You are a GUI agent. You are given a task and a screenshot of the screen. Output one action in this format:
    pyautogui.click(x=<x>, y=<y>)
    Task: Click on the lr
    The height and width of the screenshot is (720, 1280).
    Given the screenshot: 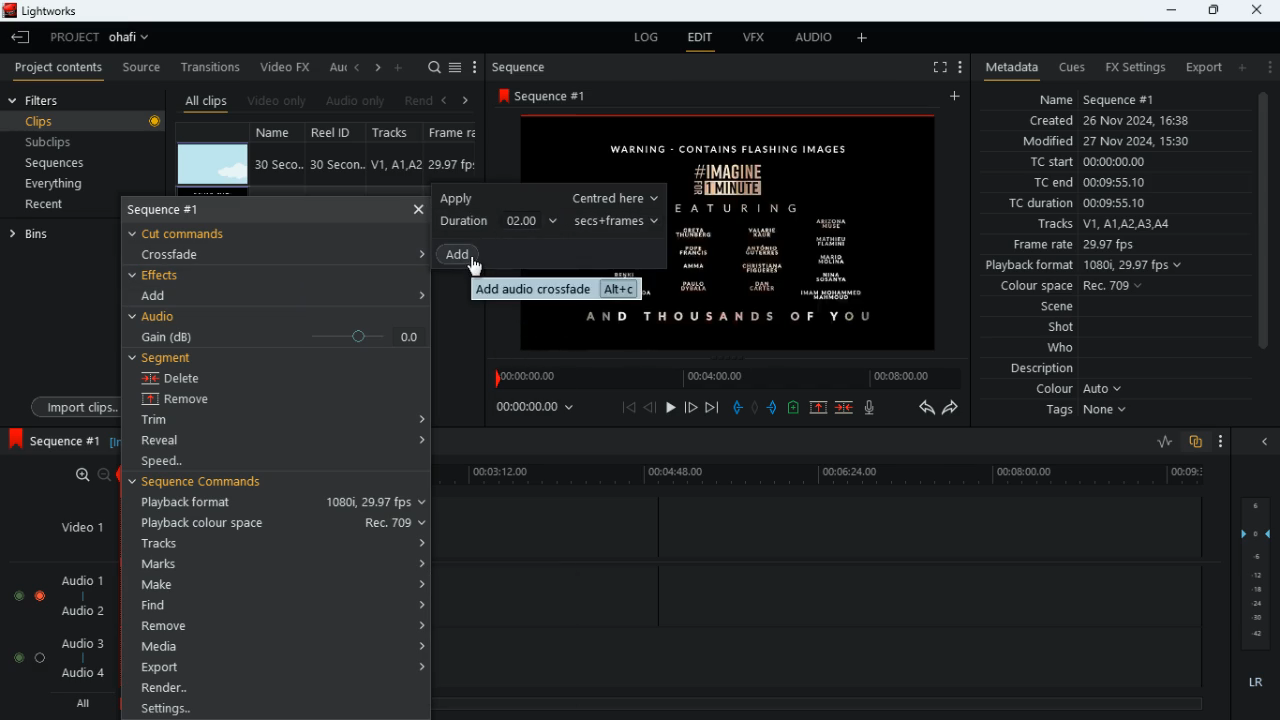 What is the action you would take?
    pyautogui.click(x=1258, y=685)
    